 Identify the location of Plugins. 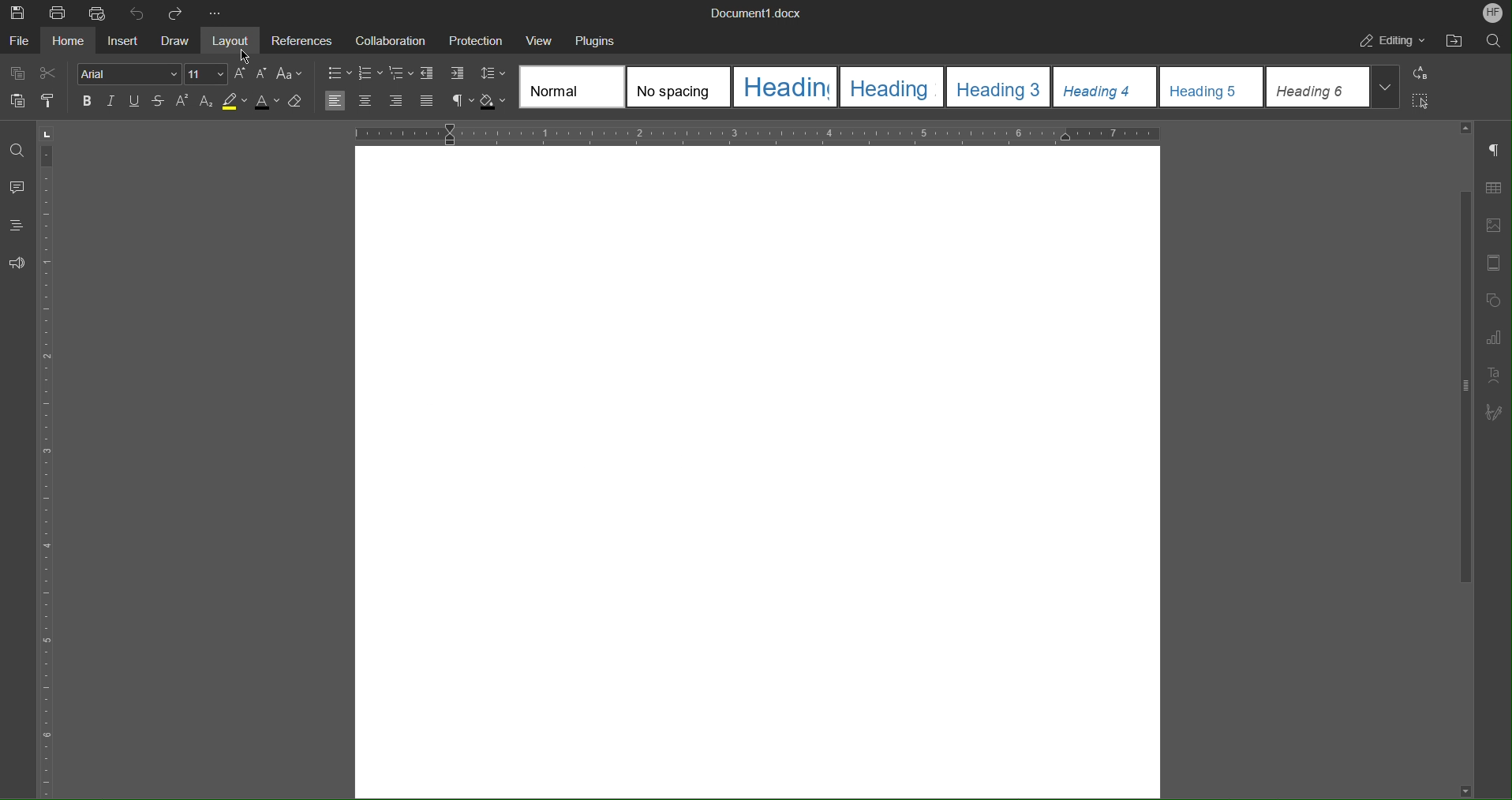
(595, 41).